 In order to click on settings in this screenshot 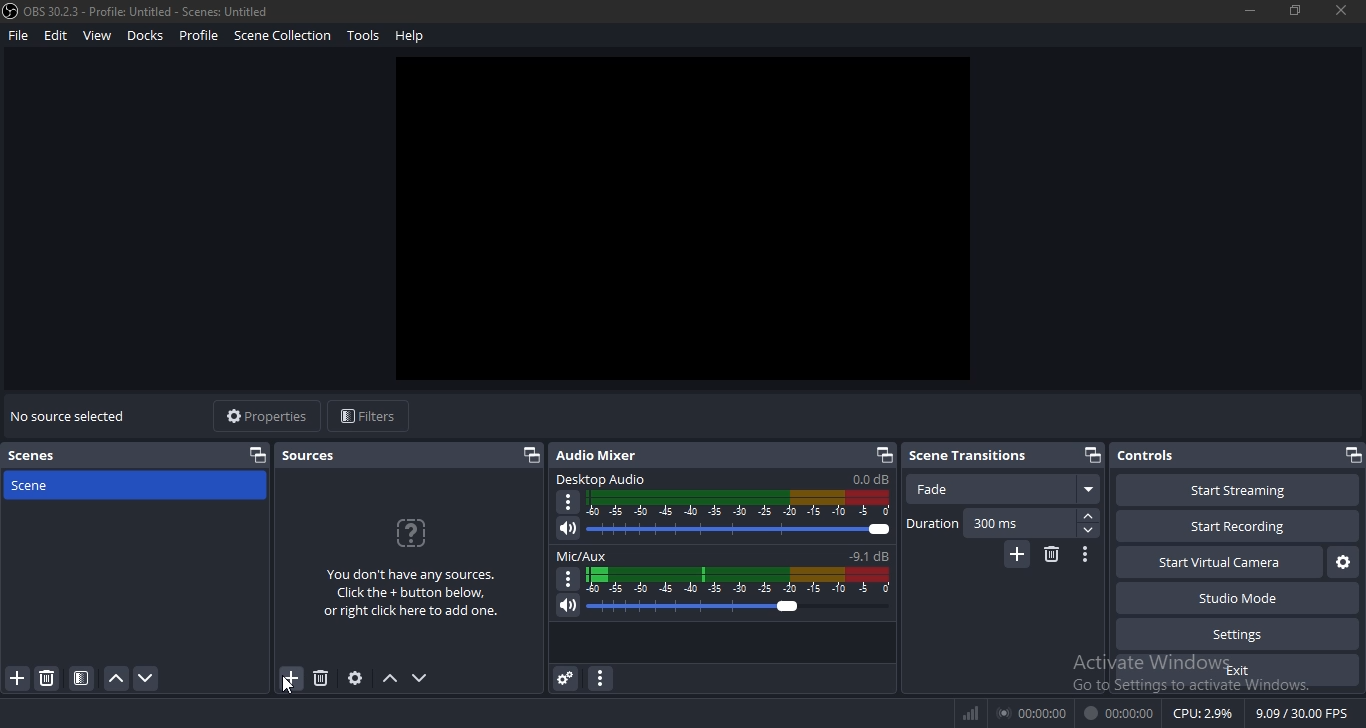, I will do `click(357, 677)`.